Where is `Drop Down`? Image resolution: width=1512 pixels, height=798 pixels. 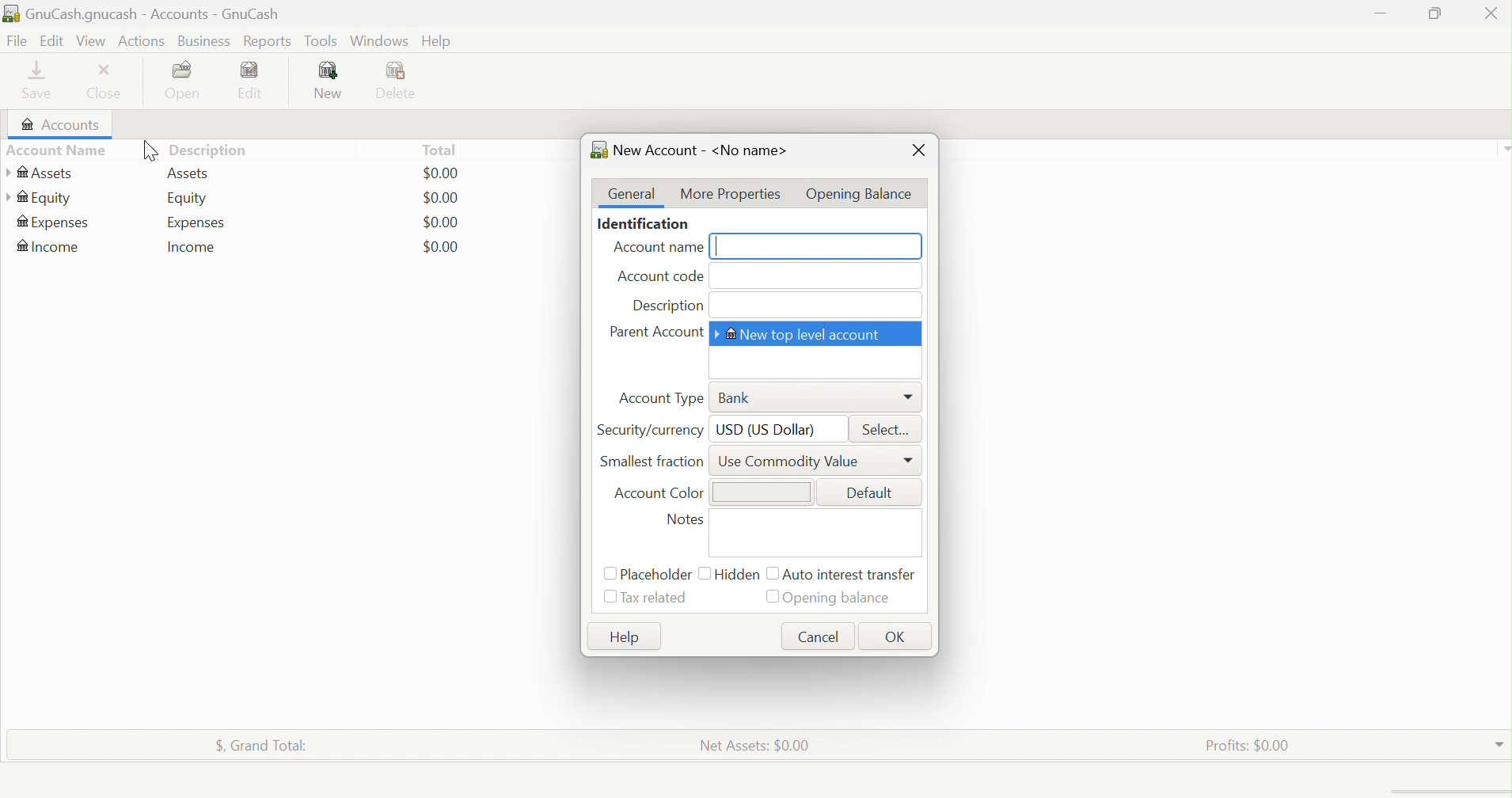 Drop Down is located at coordinates (1503, 148).